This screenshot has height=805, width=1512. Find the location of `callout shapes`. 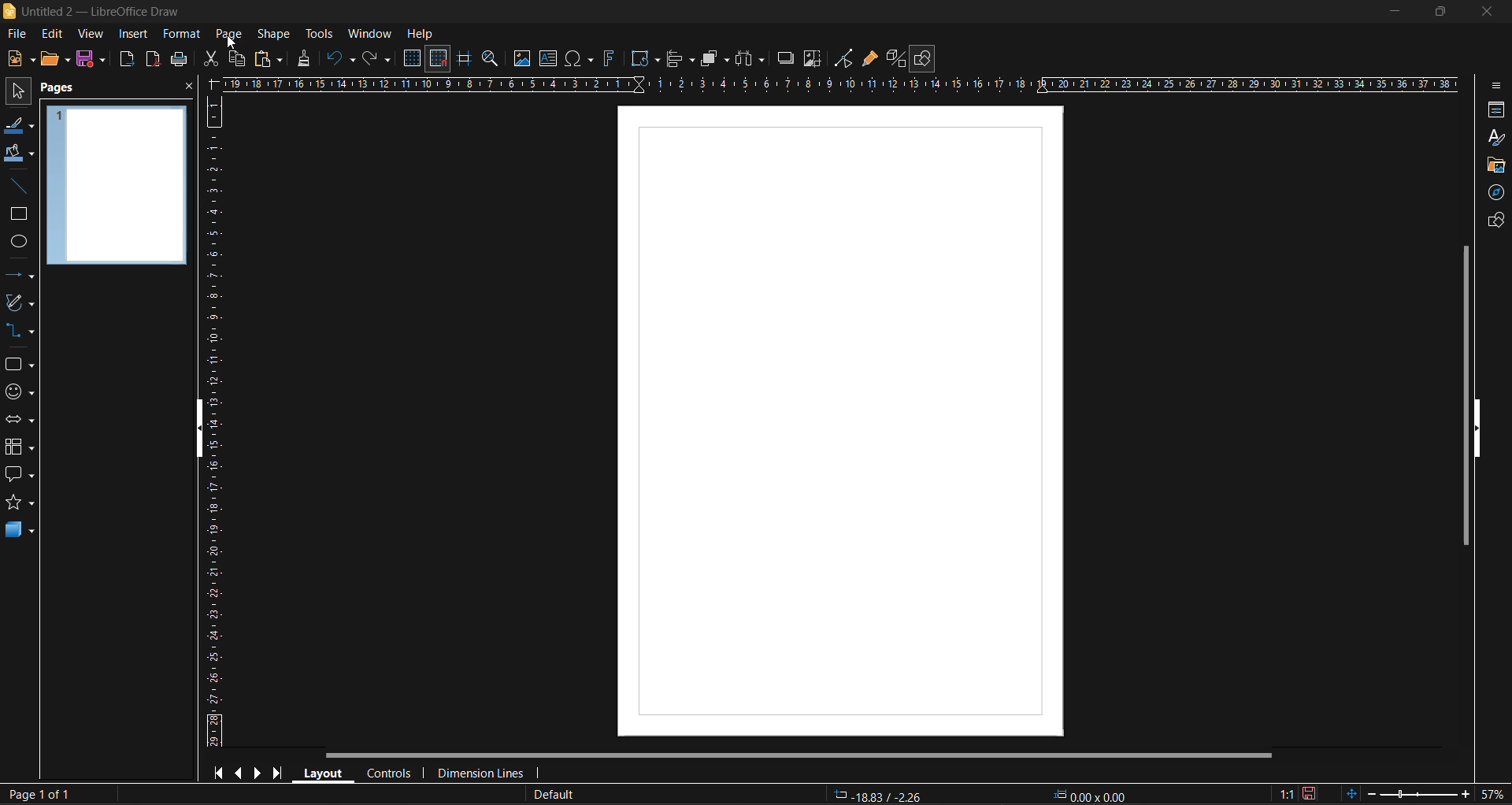

callout shapes is located at coordinates (18, 477).